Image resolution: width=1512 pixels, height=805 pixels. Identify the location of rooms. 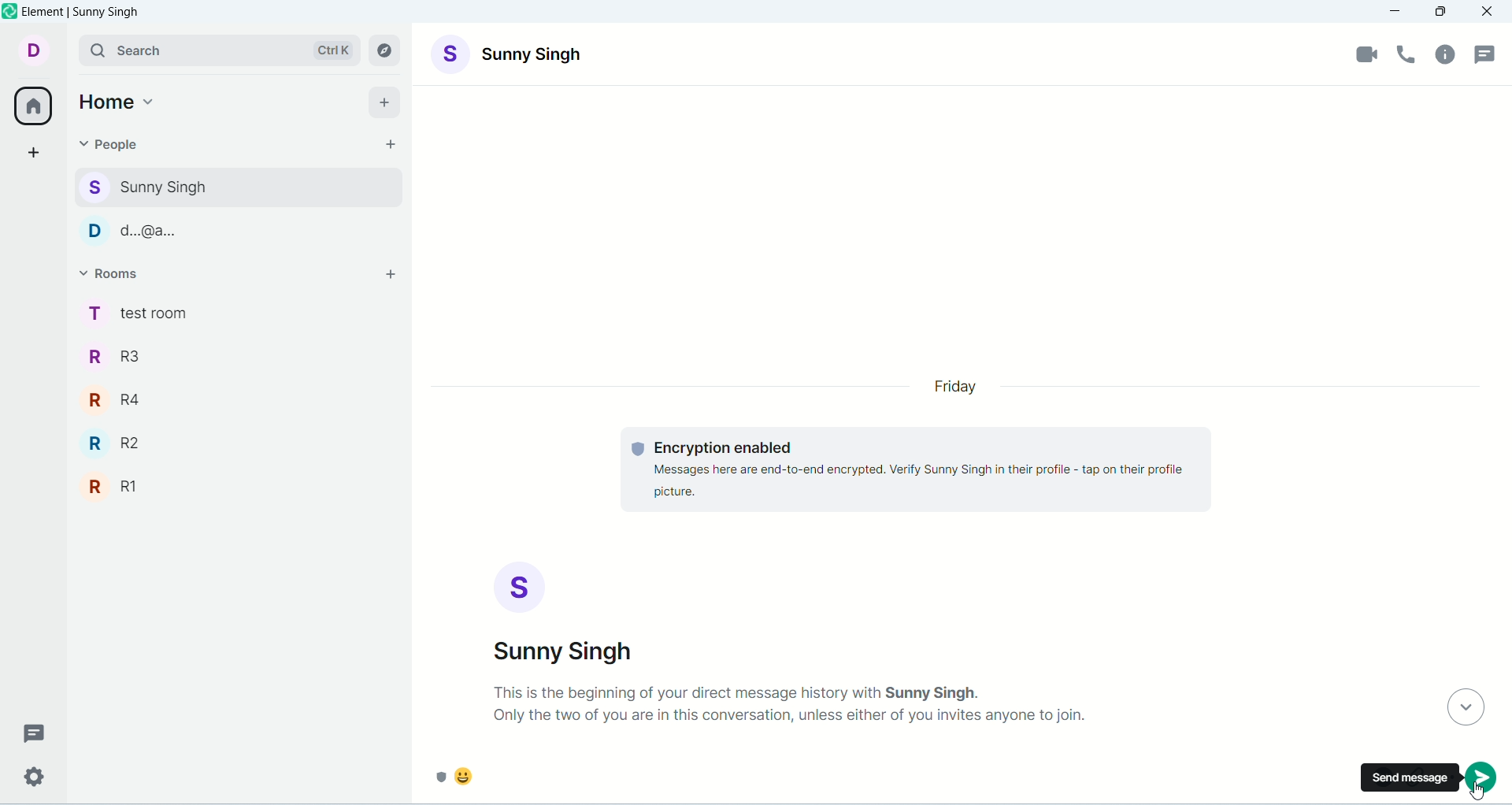
(116, 273).